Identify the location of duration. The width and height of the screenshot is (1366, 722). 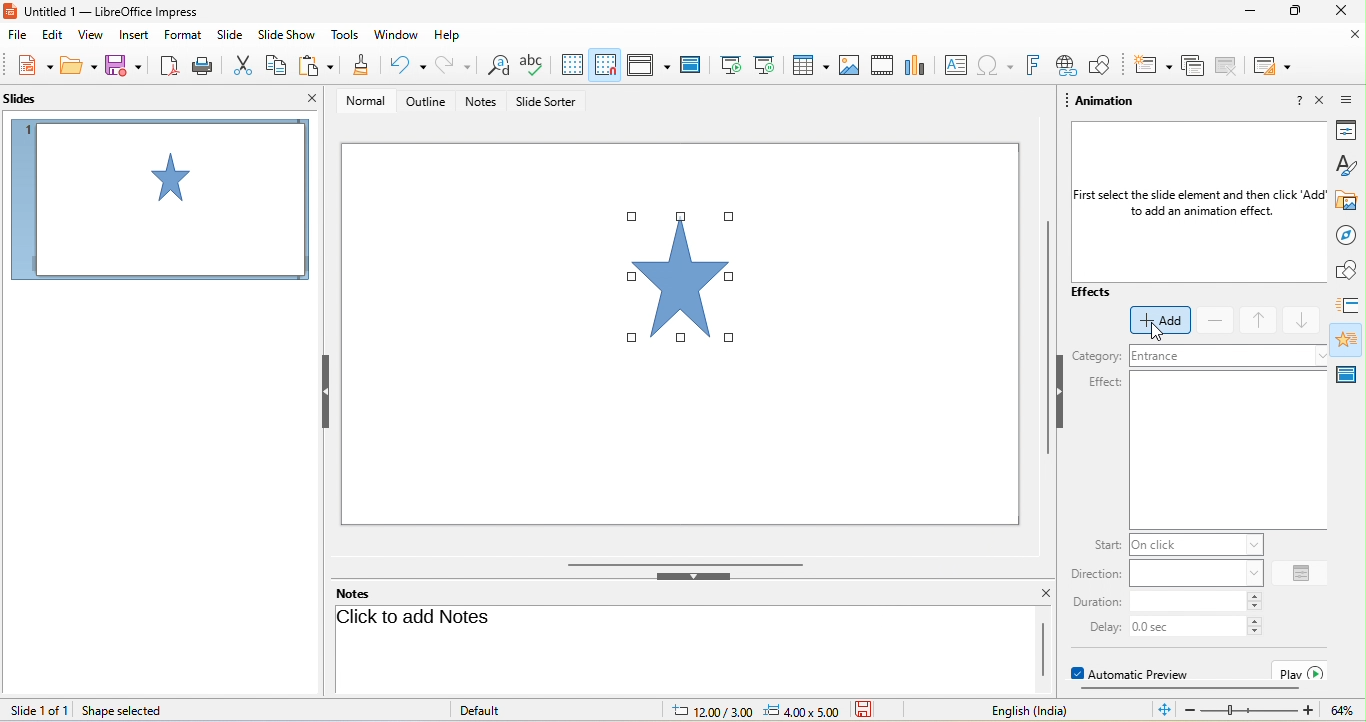
(1096, 602).